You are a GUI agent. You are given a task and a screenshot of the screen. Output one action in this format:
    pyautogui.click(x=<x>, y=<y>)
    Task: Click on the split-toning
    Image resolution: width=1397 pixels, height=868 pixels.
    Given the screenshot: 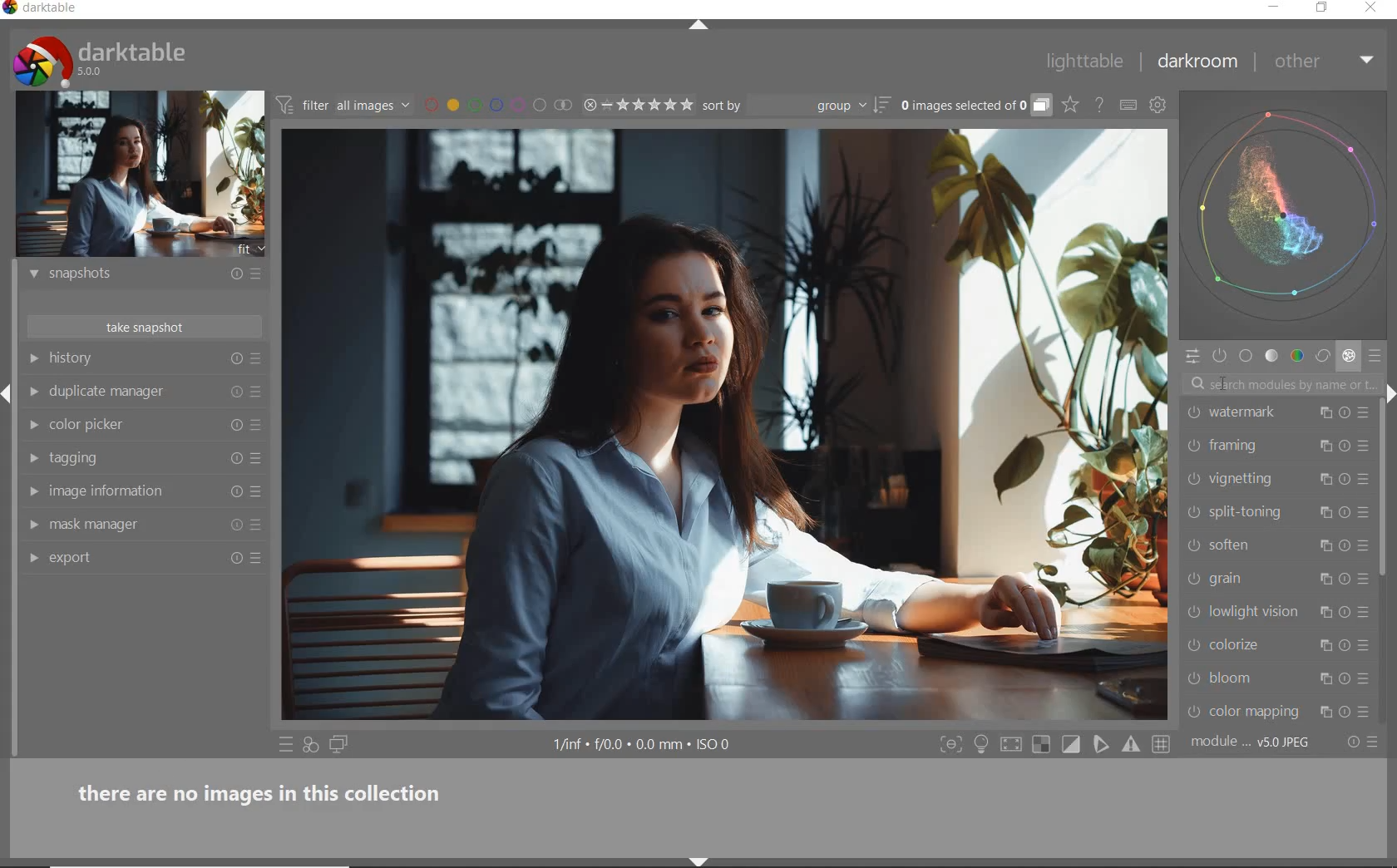 What is the action you would take?
    pyautogui.click(x=1258, y=512)
    